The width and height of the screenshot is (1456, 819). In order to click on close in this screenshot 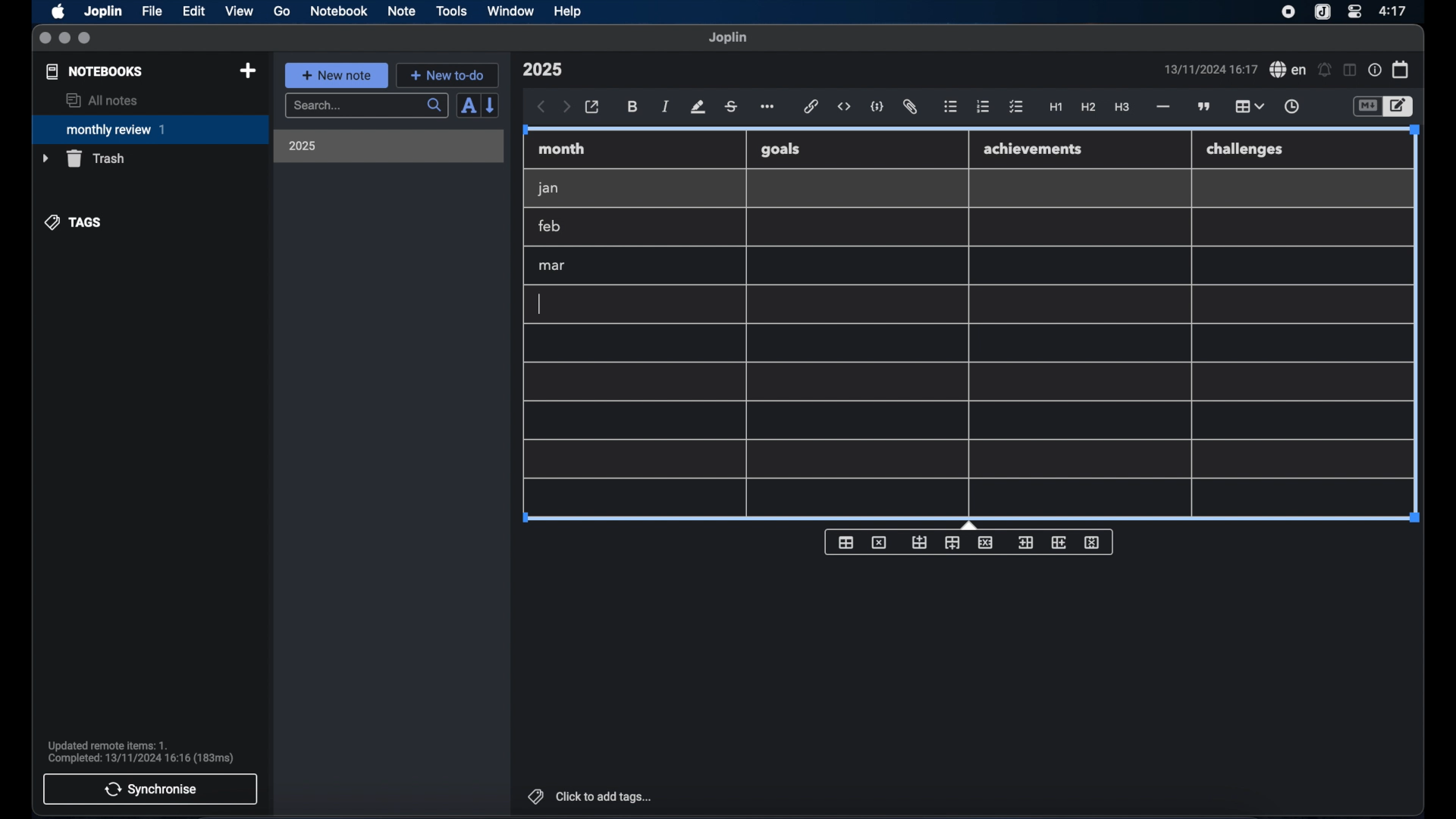, I will do `click(45, 39)`.